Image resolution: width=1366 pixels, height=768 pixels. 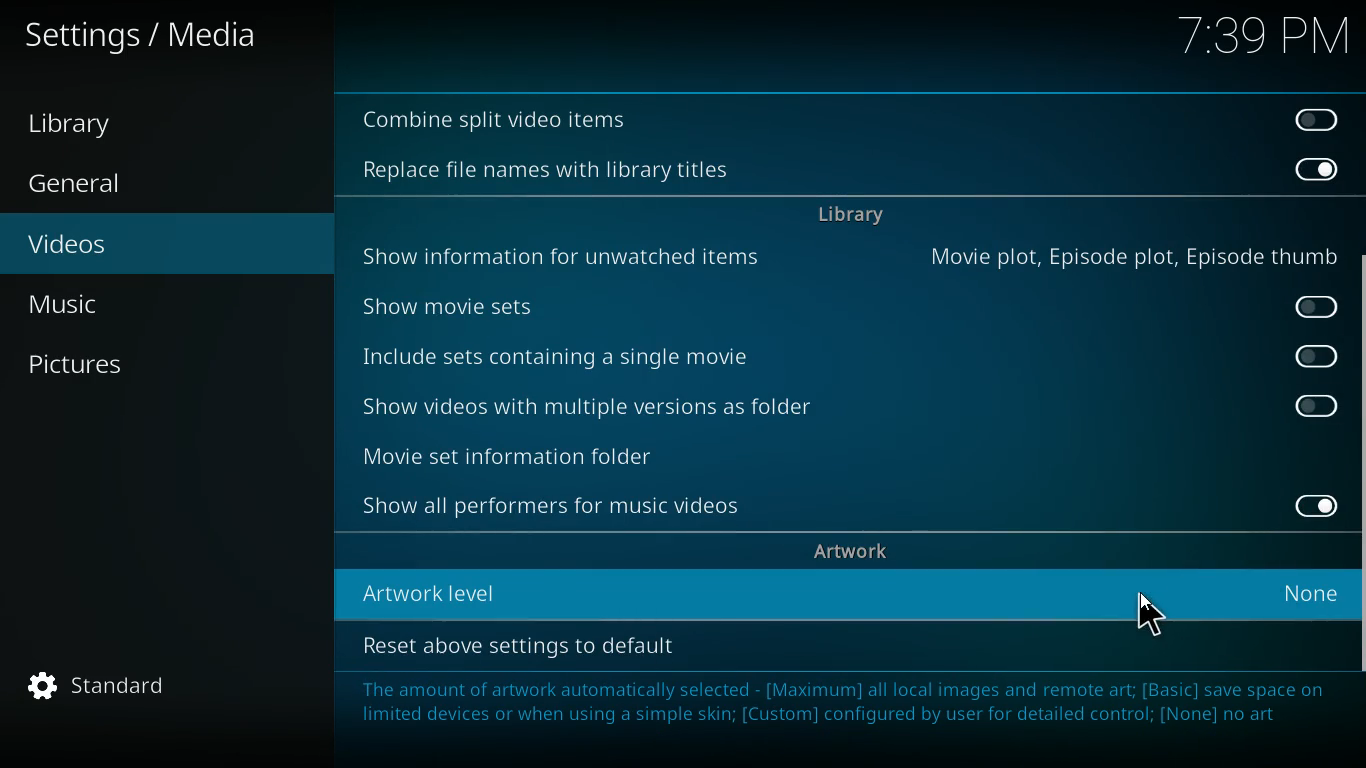 What do you see at coordinates (498, 121) in the screenshot?
I see `combine split video items` at bounding box center [498, 121].